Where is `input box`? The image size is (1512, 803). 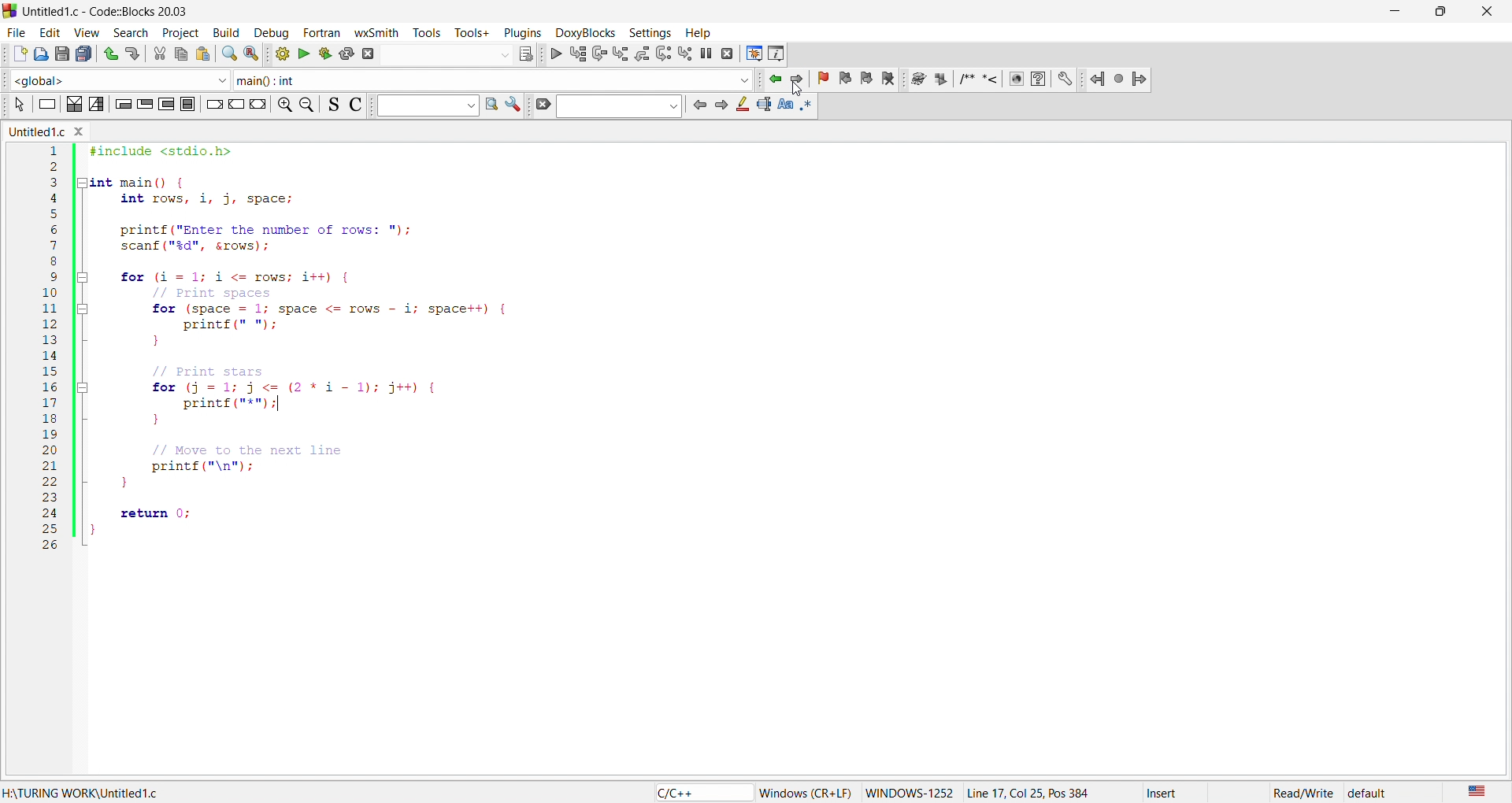
input box is located at coordinates (420, 105).